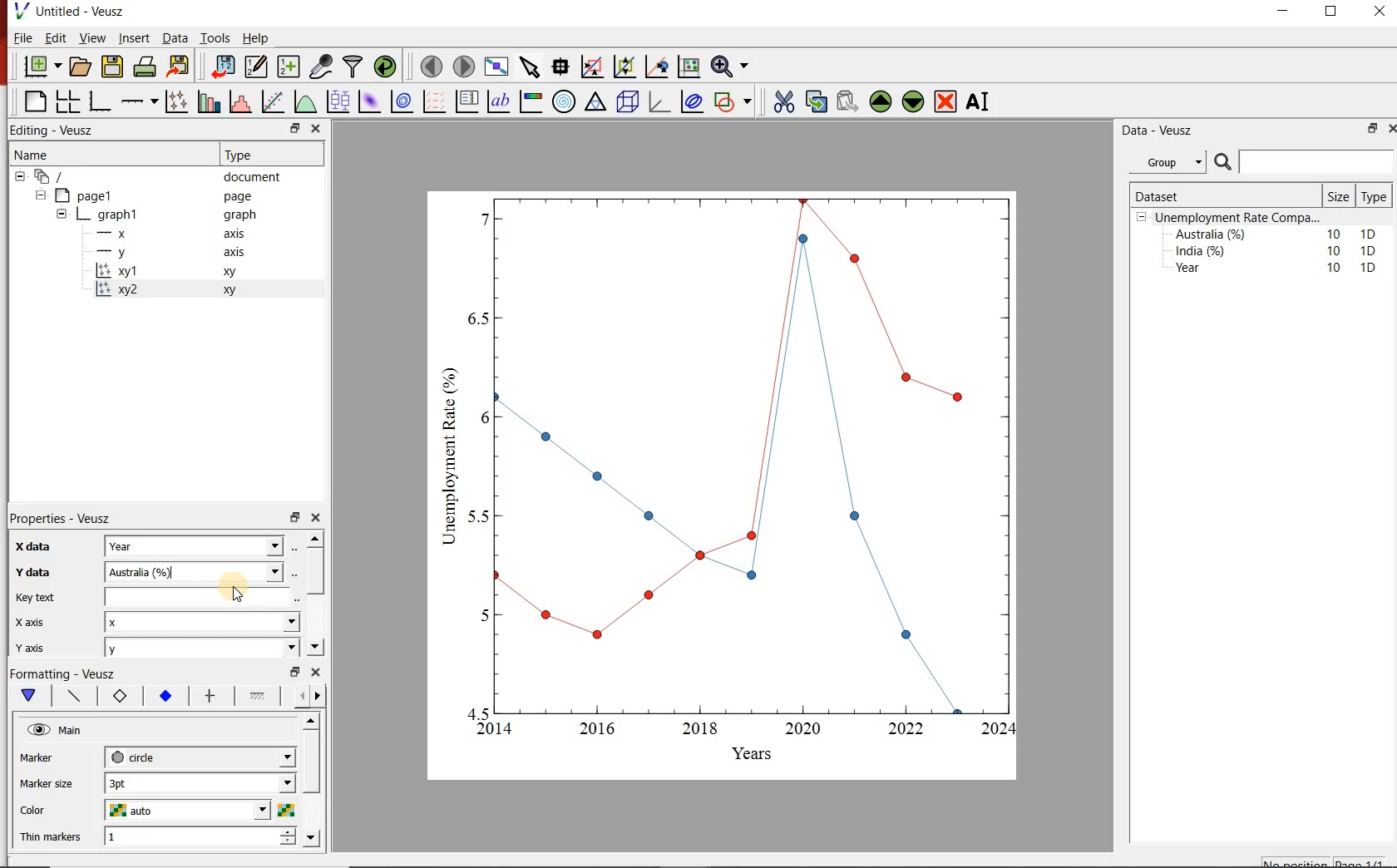  What do you see at coordinates (197, 545) in the screenshot?
I see `Year` at bounding box center [197, 545].